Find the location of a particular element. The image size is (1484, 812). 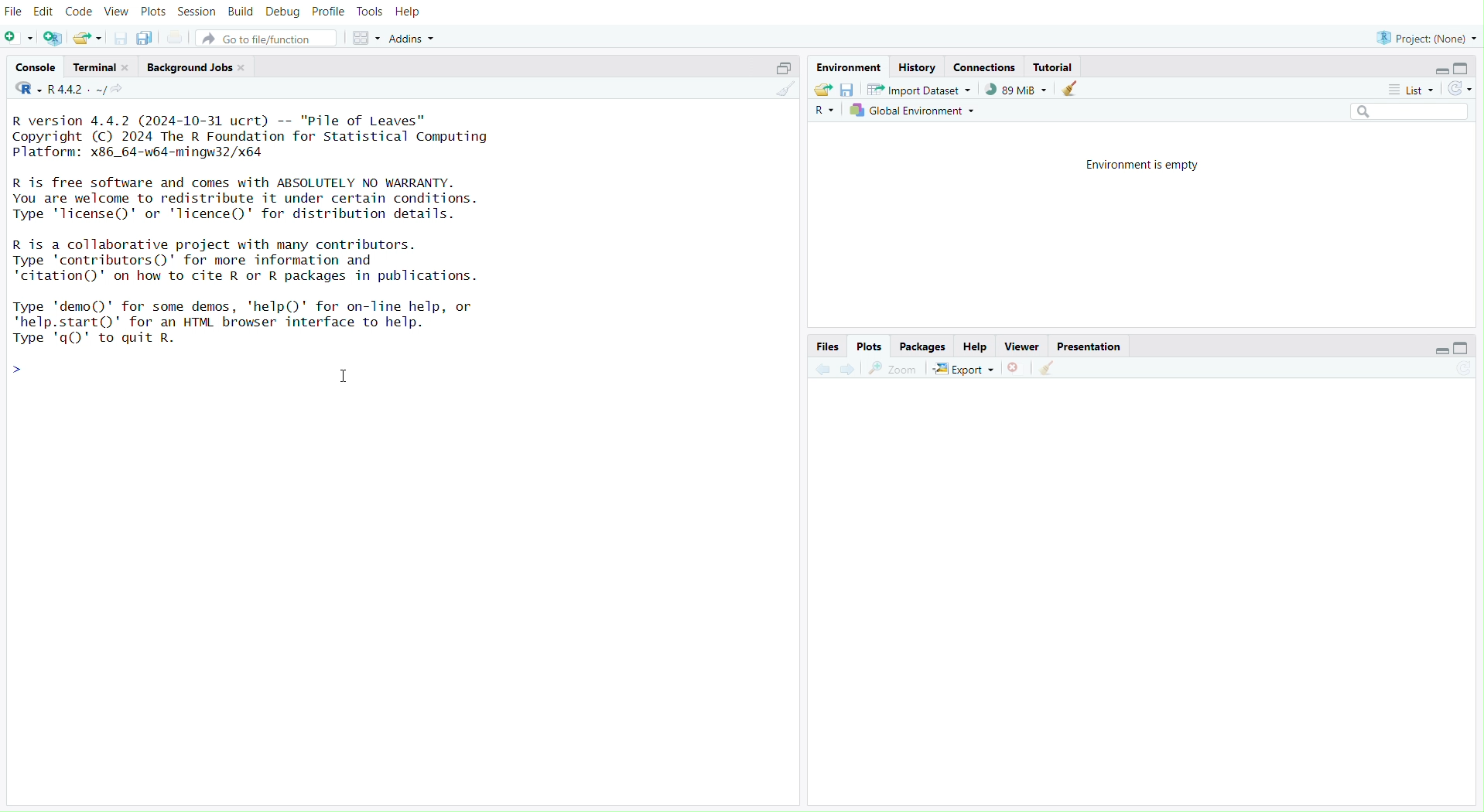

Save workspace as is located at coordinates (848, 89).